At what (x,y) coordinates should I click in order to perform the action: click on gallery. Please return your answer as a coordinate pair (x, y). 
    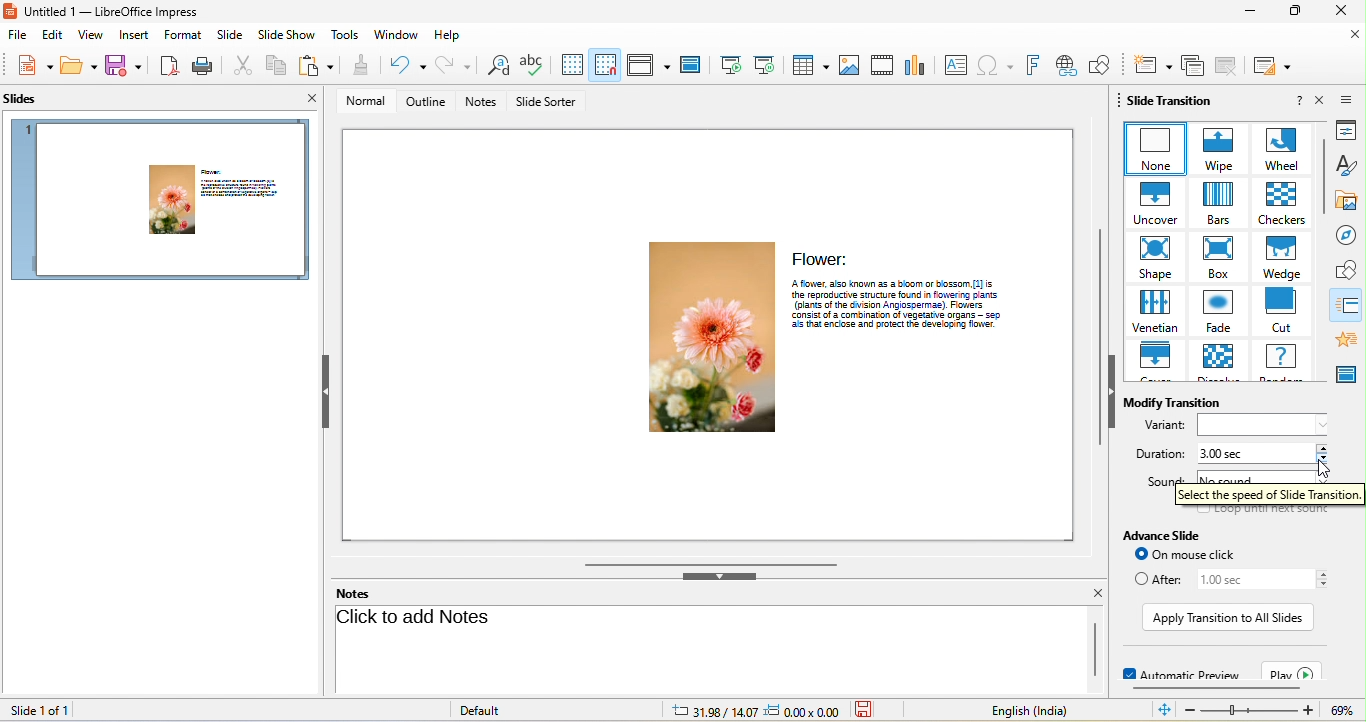
    Looking at the image, I should click on (1351, 199).